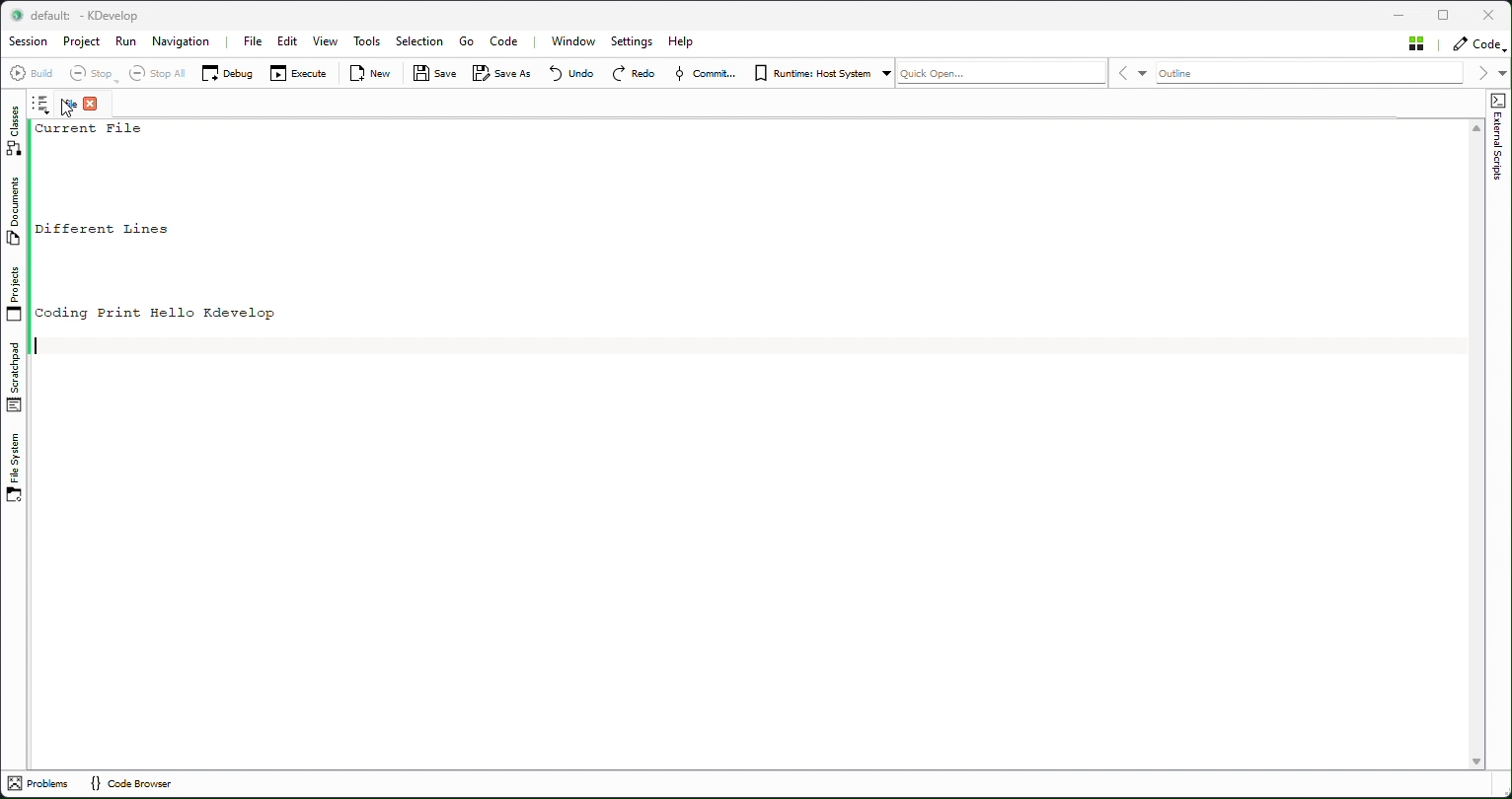  Describe the element at coordinates (374, 74) in the screenshot. I see `New` at that location.